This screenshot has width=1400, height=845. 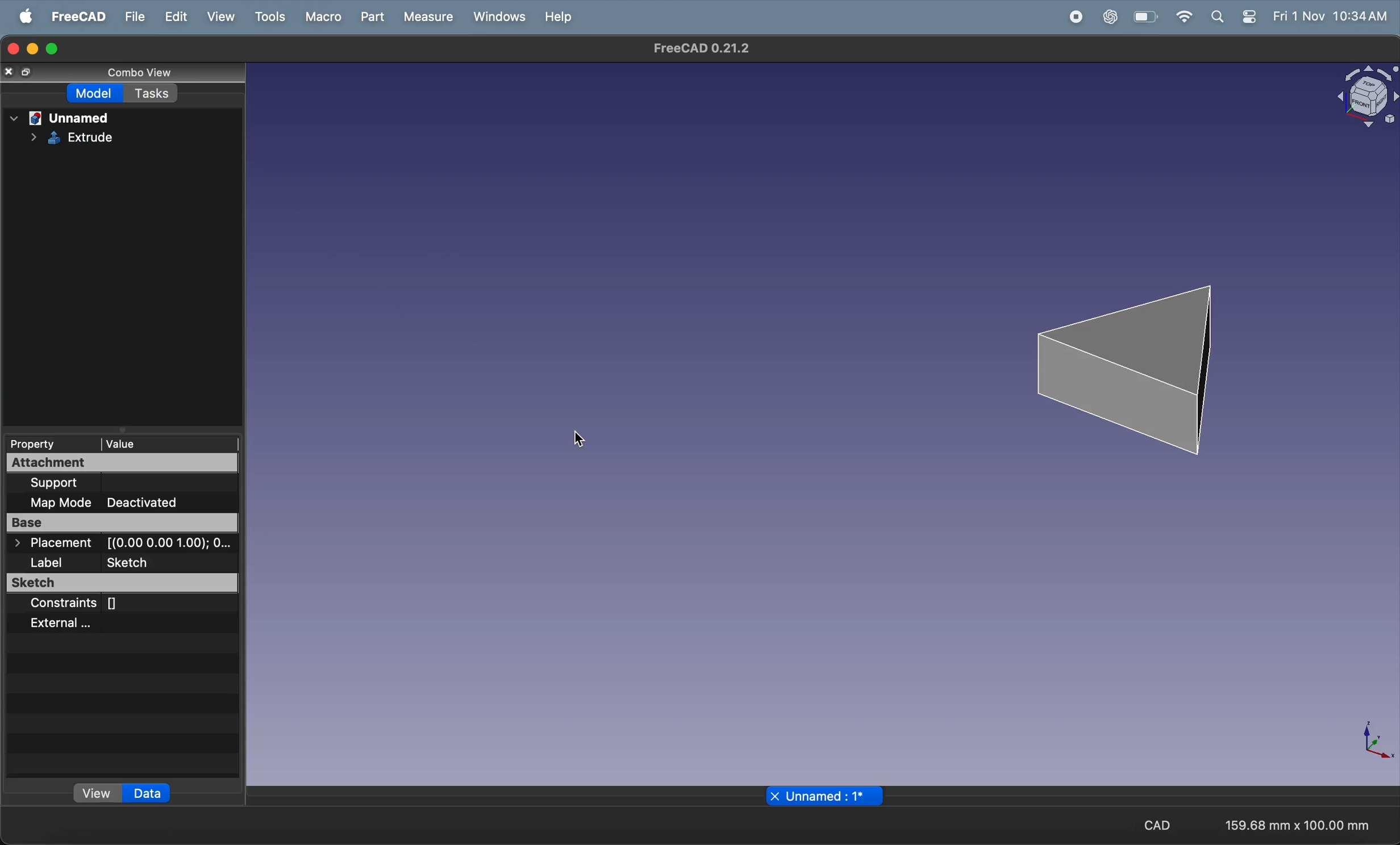 I want to click on data, so click(x=147, y=793).